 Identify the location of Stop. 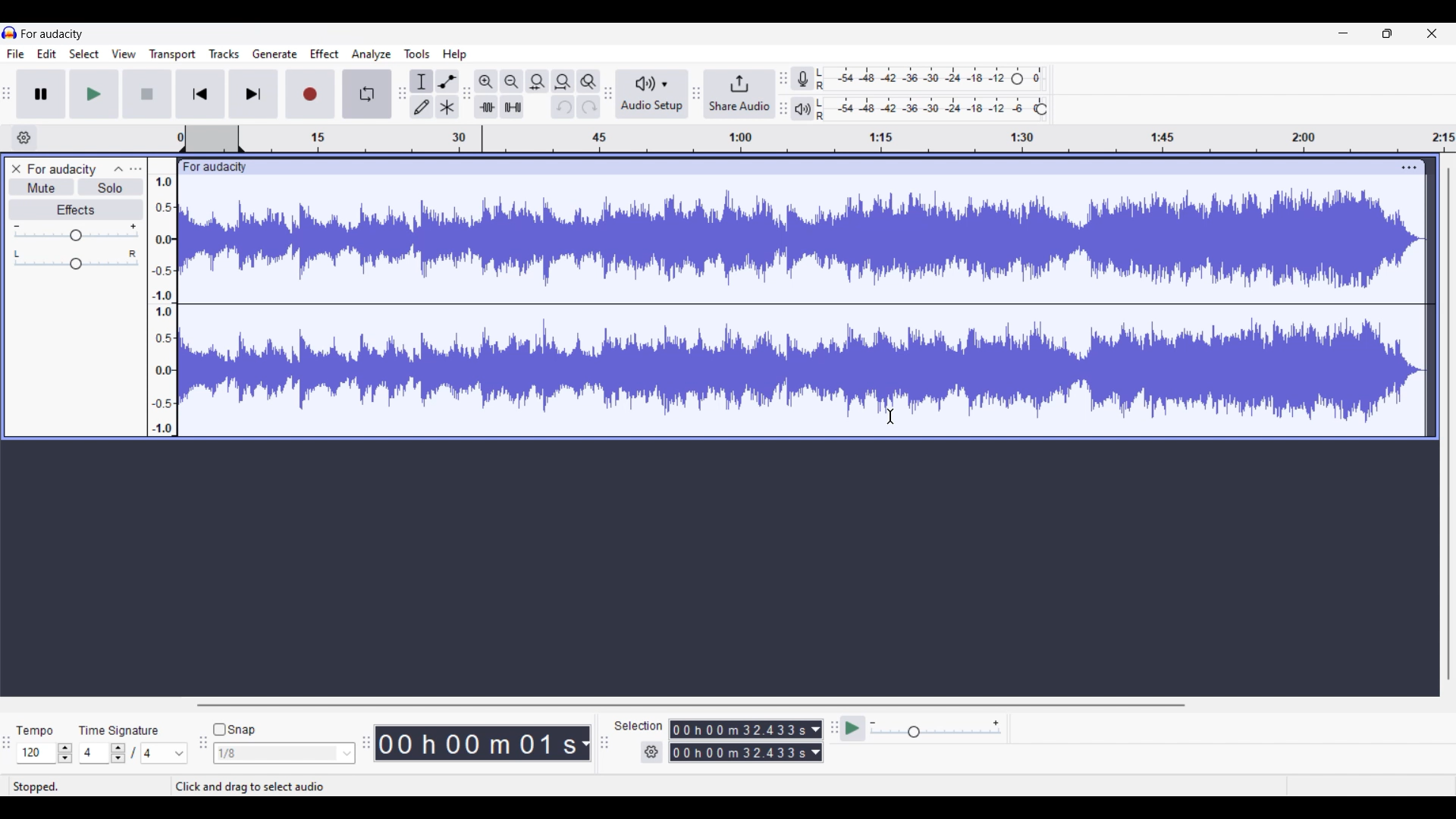
(148, 94).